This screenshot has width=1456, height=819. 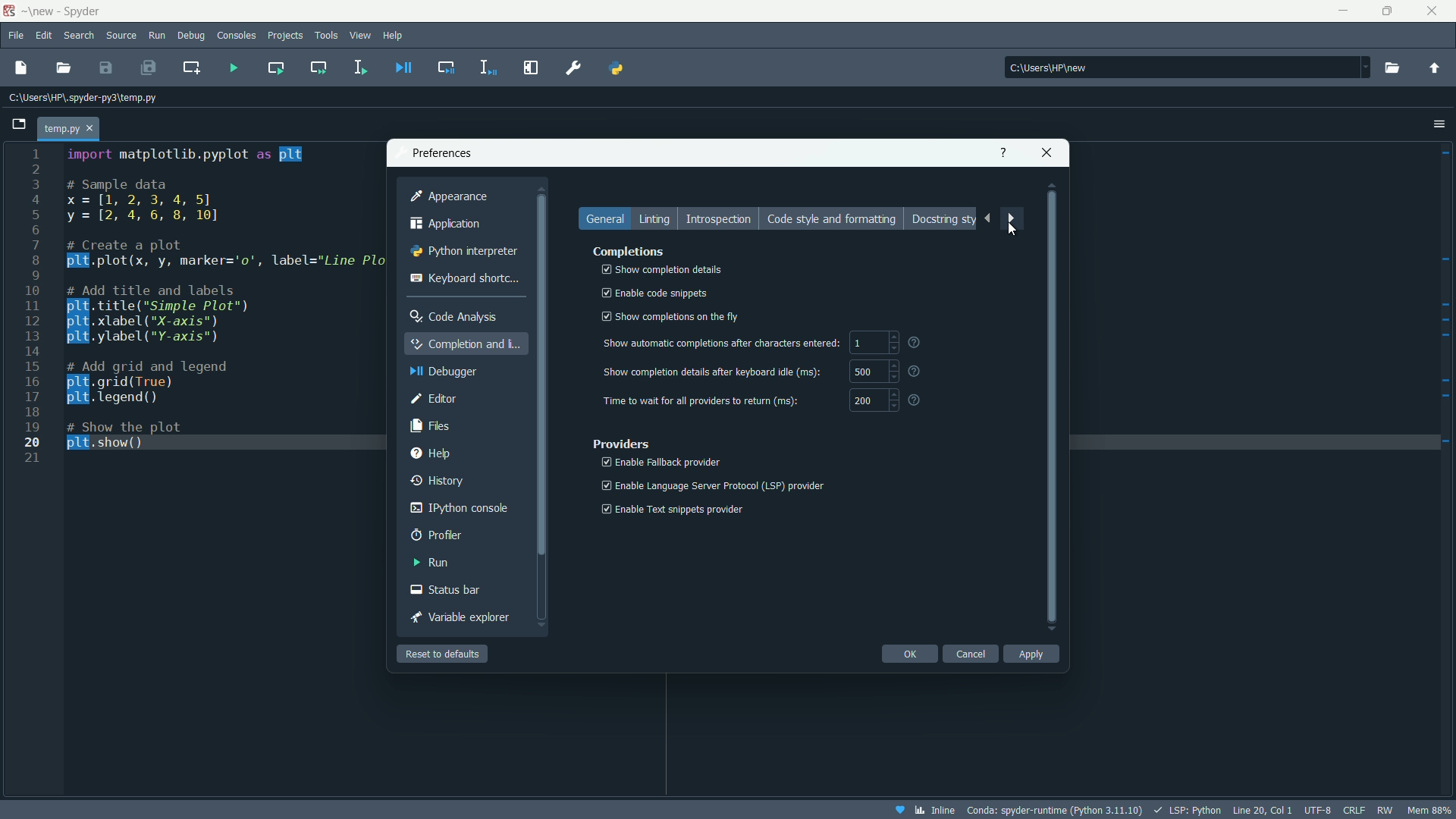 What do you see at coordinates (711, 371) in the screenshot?
I see `show completion details after keyboard idle` at bounding box center [711, 371].